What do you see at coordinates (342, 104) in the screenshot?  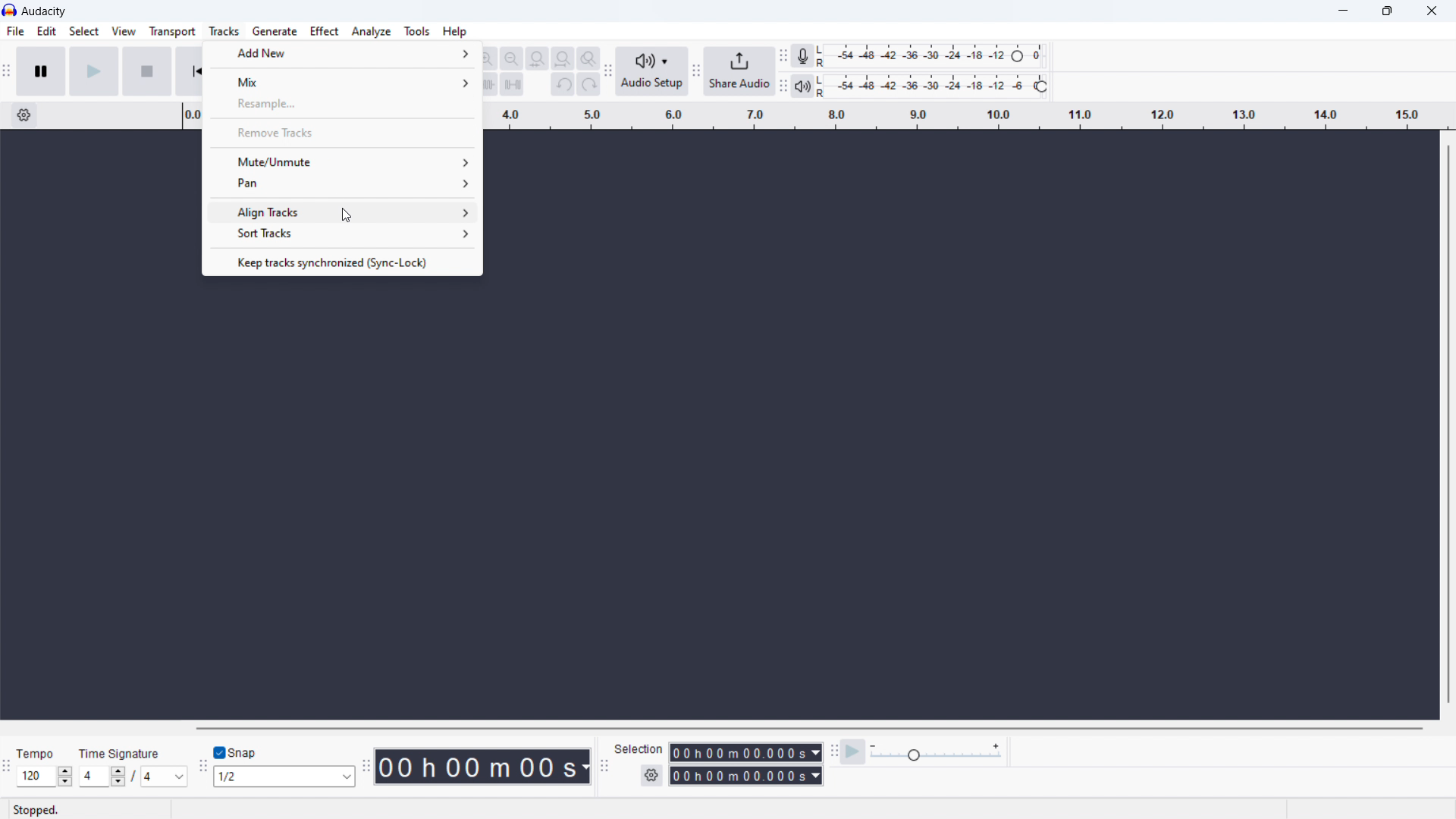 I see `resample` at bounding box center [342, 104].